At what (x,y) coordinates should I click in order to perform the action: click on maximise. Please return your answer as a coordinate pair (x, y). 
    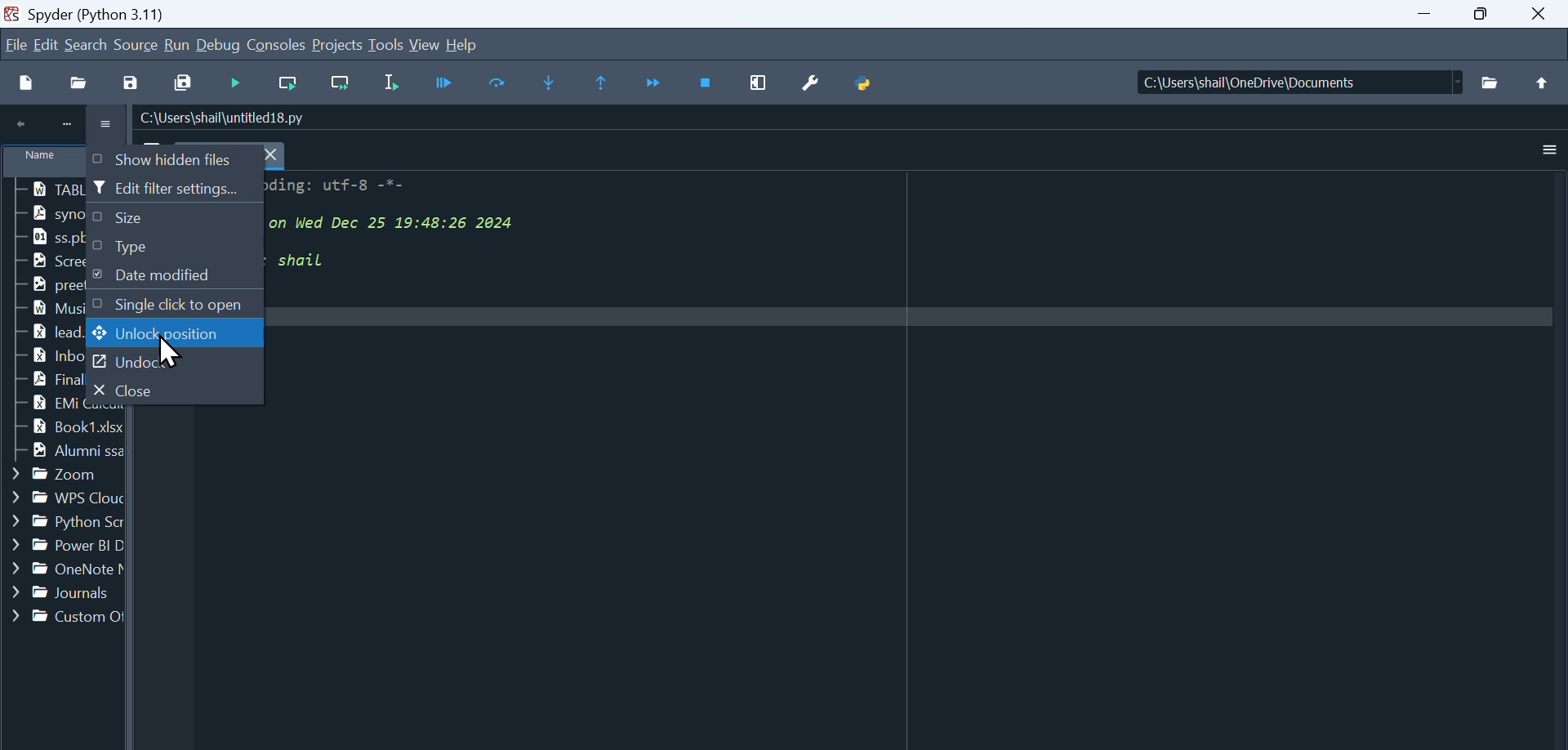
    Looking at the image, I should click on (1488, 15).